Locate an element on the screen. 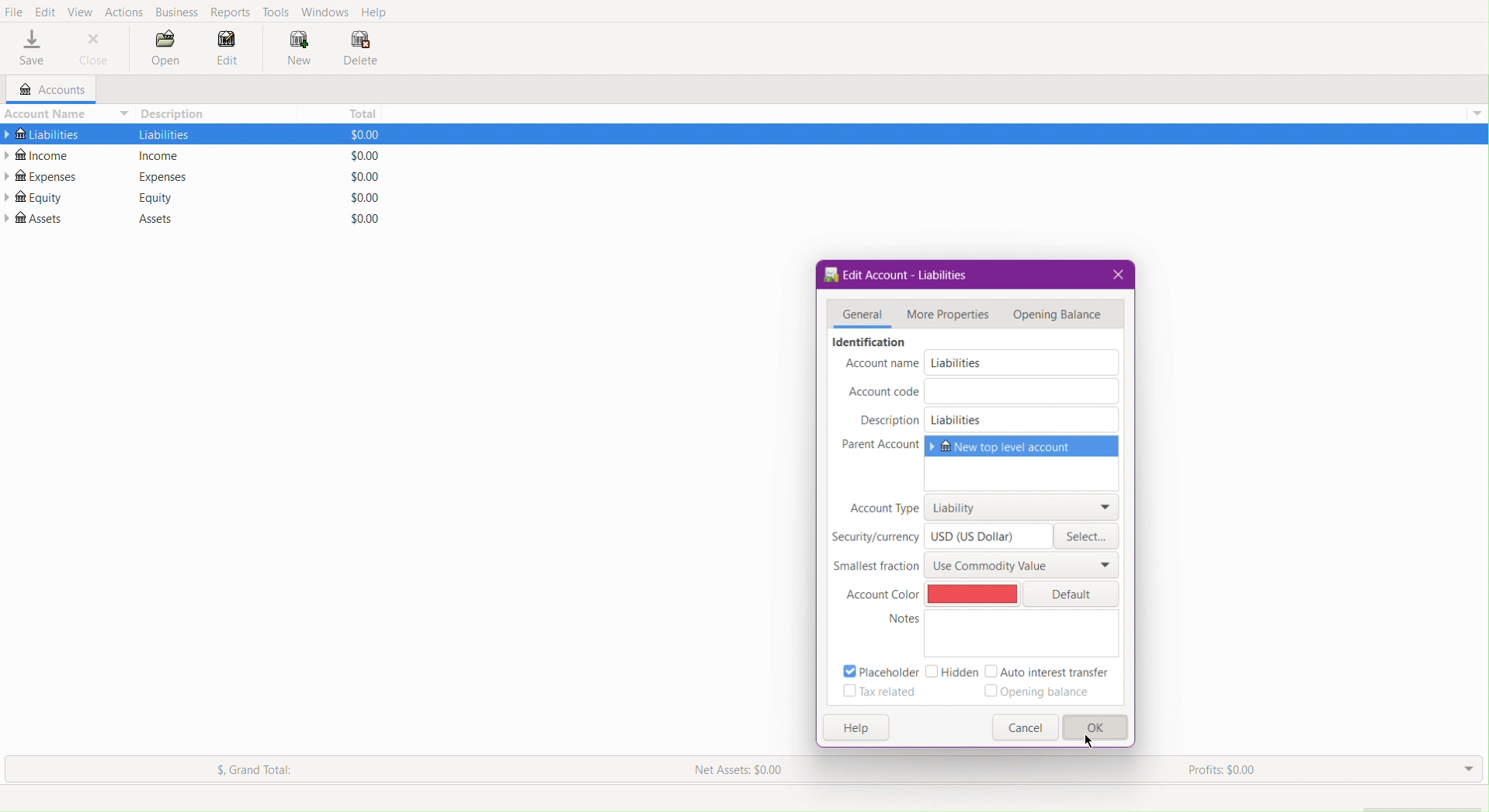  Equity is located at coordinates (157, 197).